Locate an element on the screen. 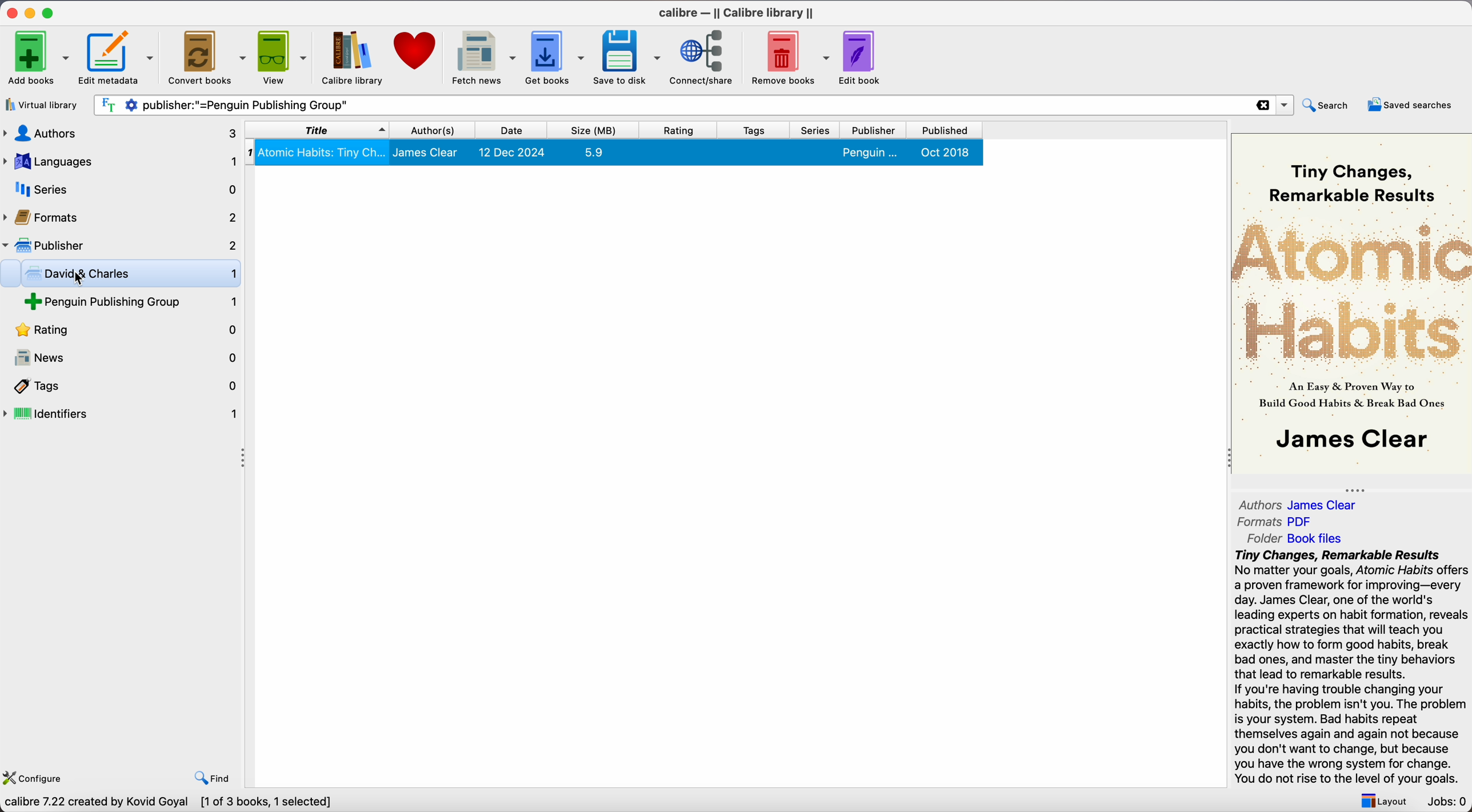 This screenshot has width=1472, height=812. synopsis is located at coordinates (1350, 665).